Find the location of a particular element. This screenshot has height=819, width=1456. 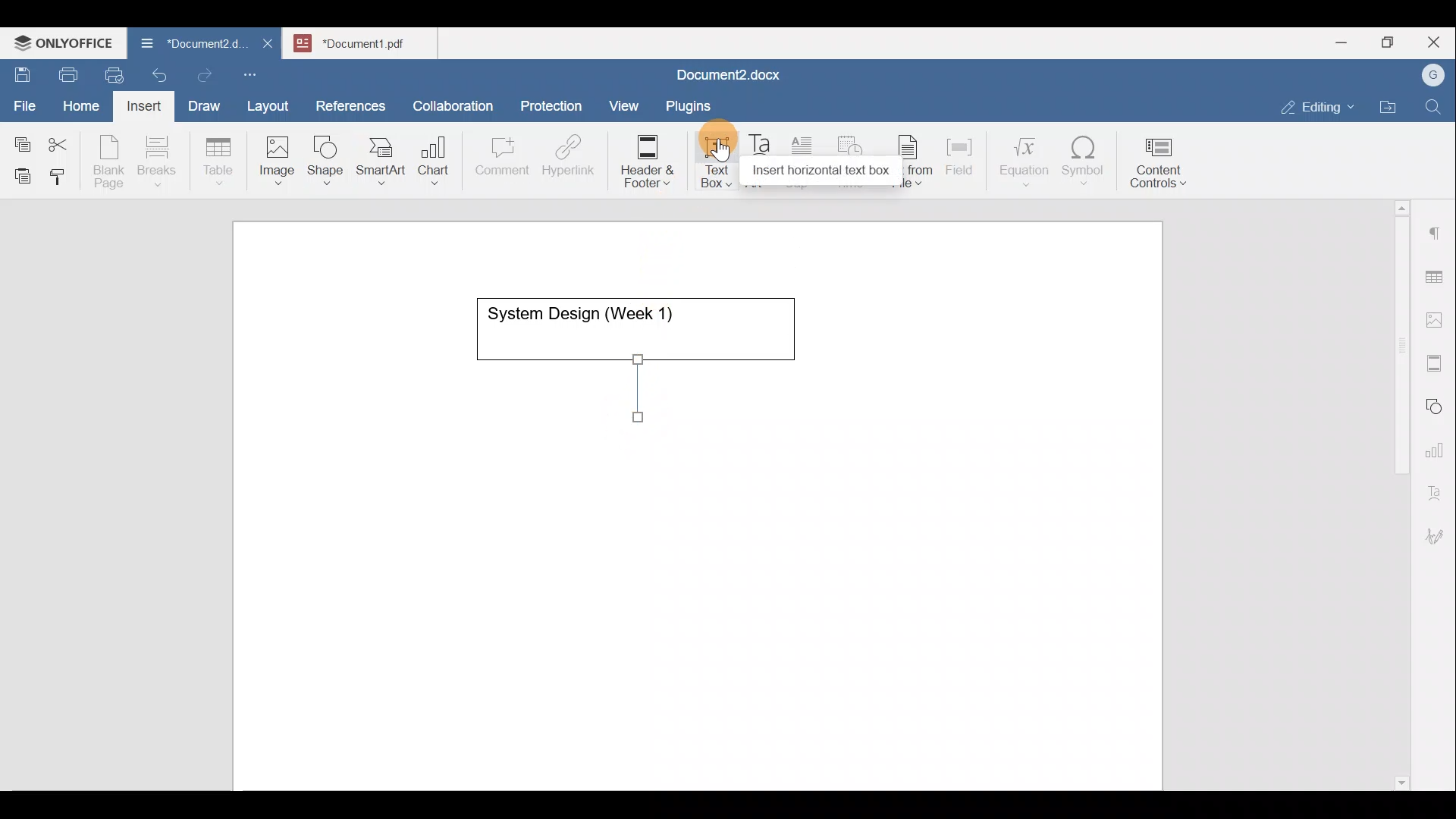

File is located at coordinates (26, 101).